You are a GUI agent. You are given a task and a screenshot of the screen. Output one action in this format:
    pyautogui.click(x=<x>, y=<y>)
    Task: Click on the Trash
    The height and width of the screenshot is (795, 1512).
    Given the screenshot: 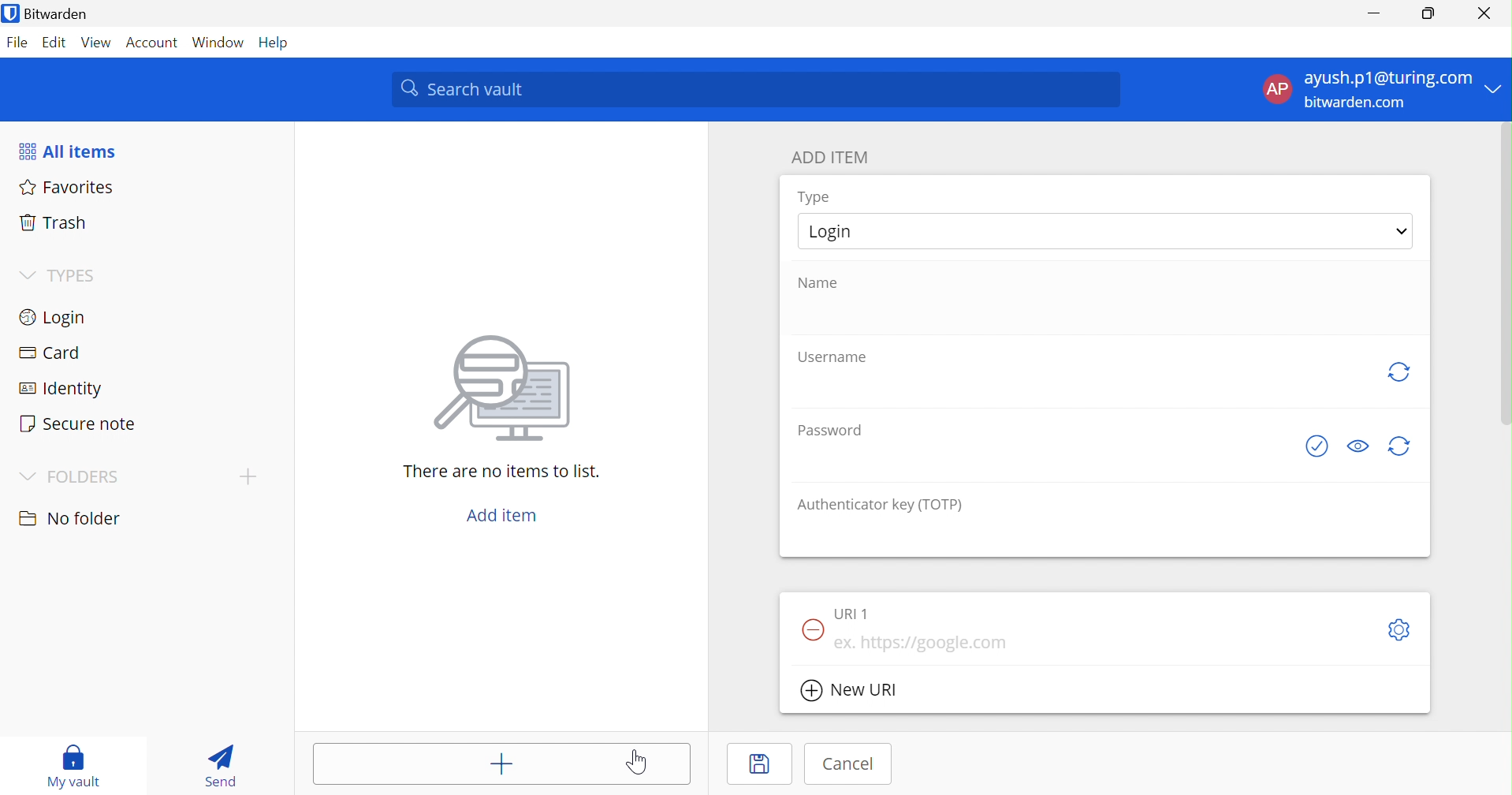 What is the action you would take?
    pyautogui.click(x=50, y=223)
    